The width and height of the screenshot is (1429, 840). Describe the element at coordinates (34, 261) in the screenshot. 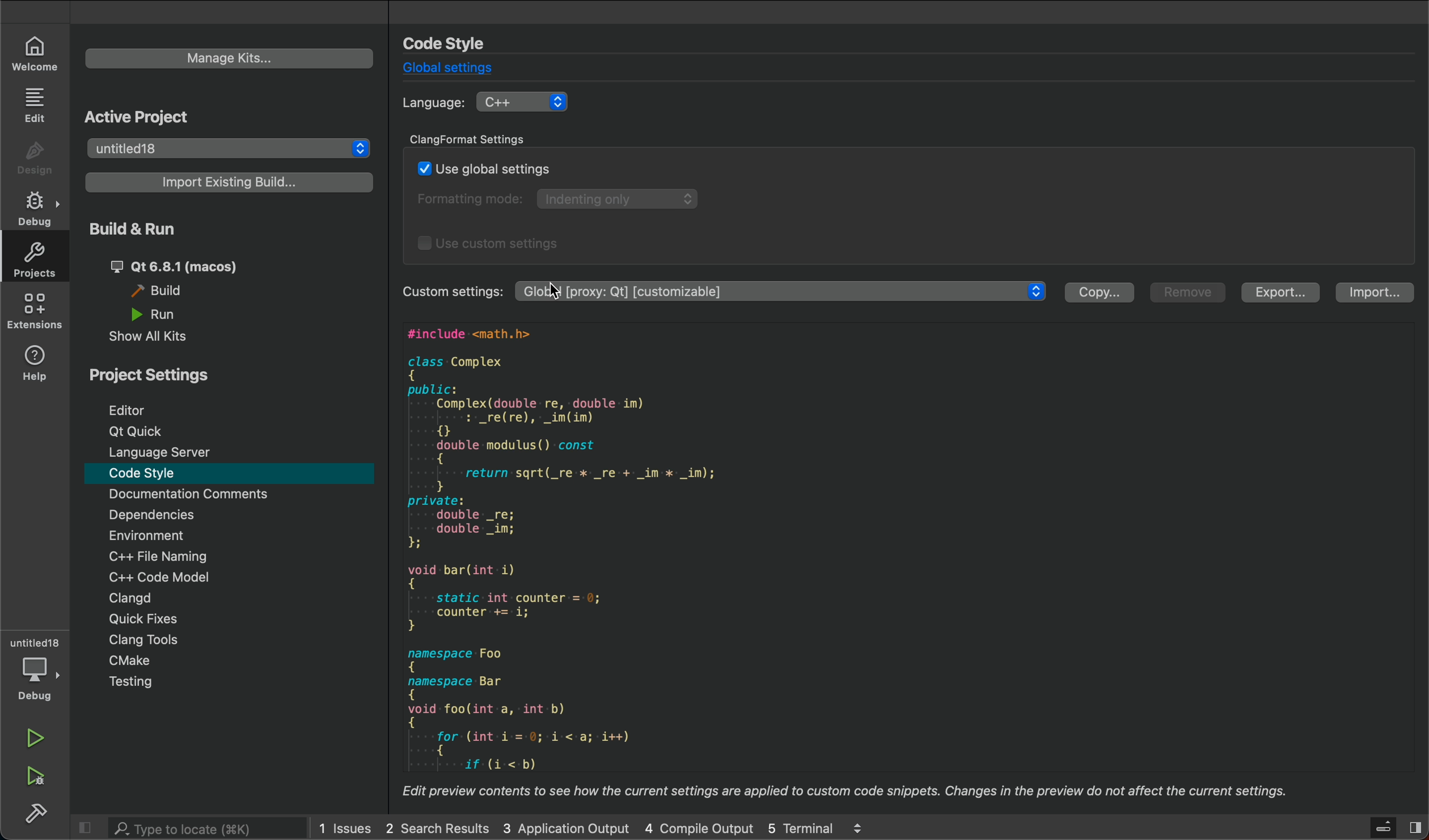

I see `projects` at that location.